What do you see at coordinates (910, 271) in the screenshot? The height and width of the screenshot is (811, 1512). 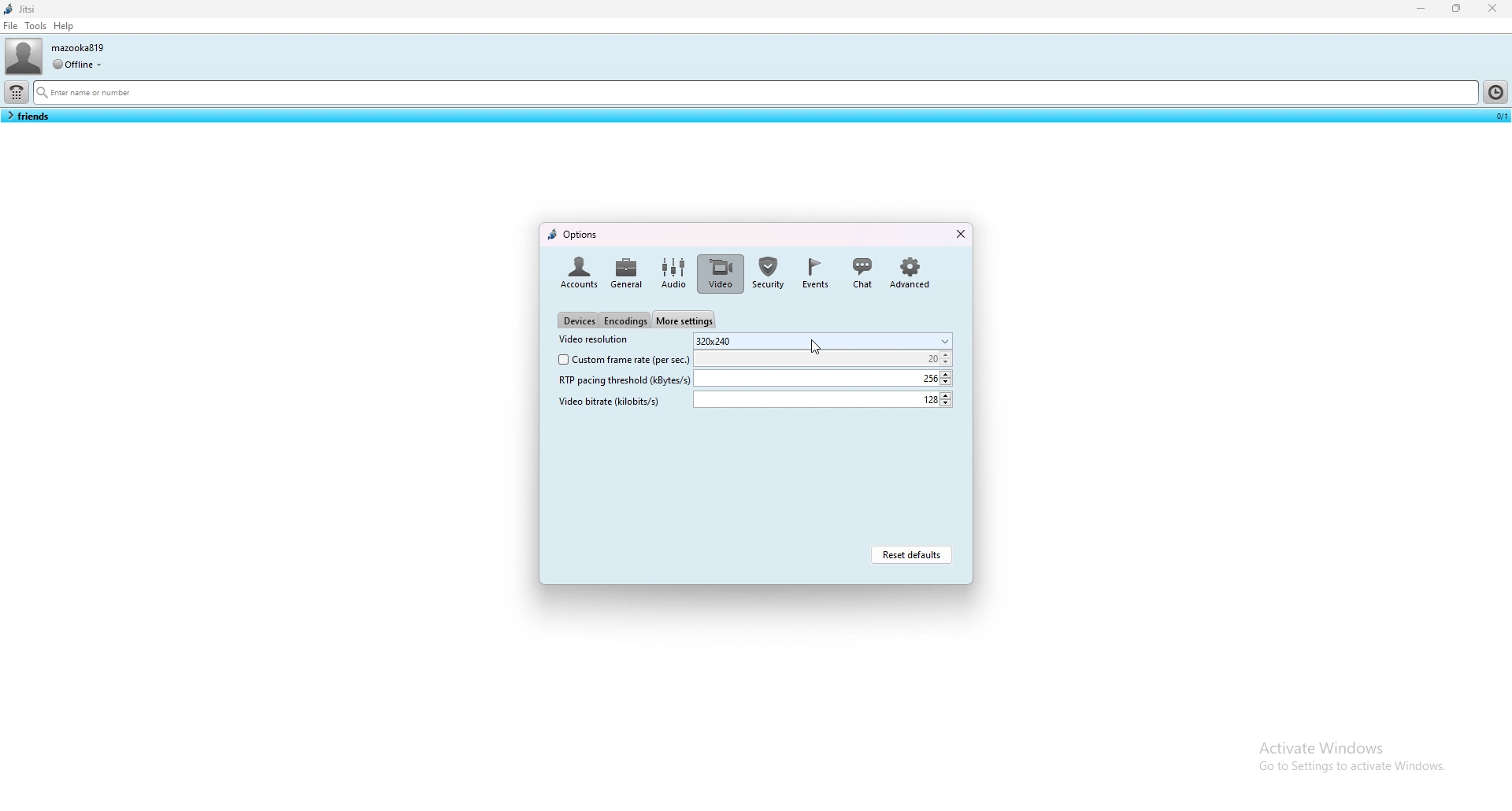 I see `Advanced` at bounding box center [910, 271].